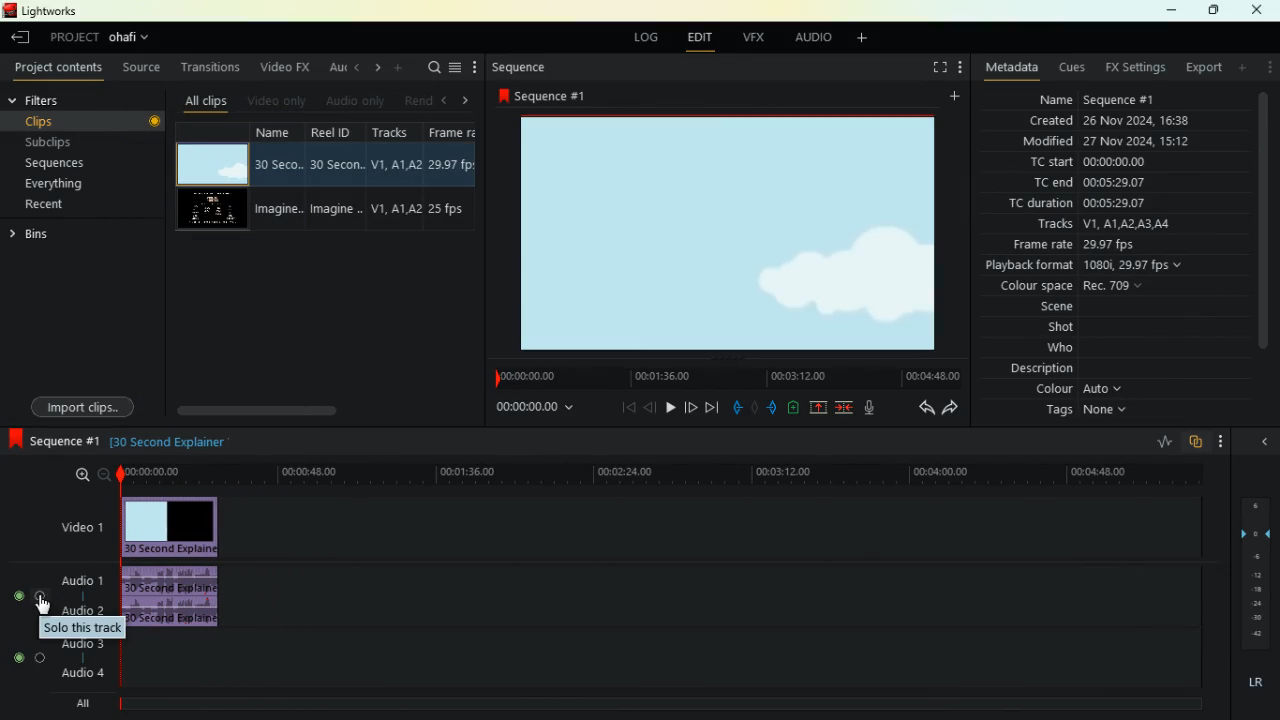 The width and height of the screenshot is (1280, 720). I want to click on video fx, so click(285, 67).